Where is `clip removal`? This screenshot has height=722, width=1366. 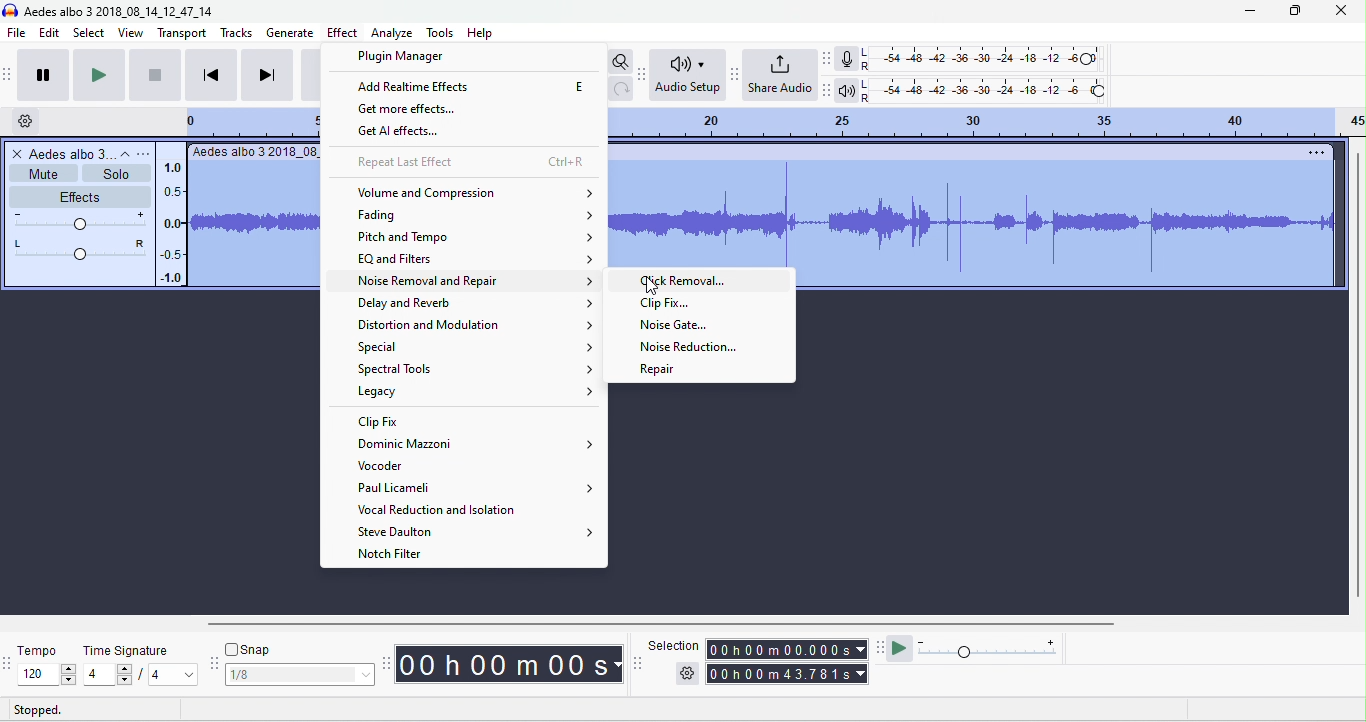 clip removal is located at coordinates (700, 282).